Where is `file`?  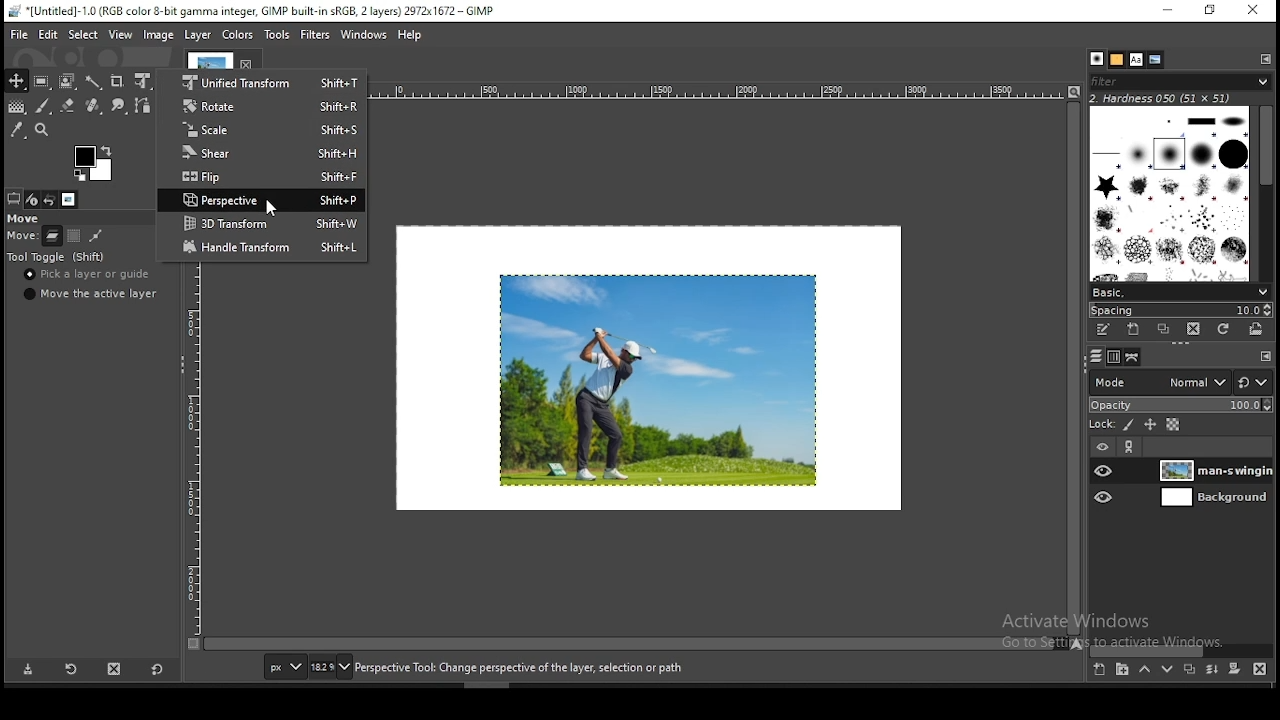 file is located at coordinates (18, 35).